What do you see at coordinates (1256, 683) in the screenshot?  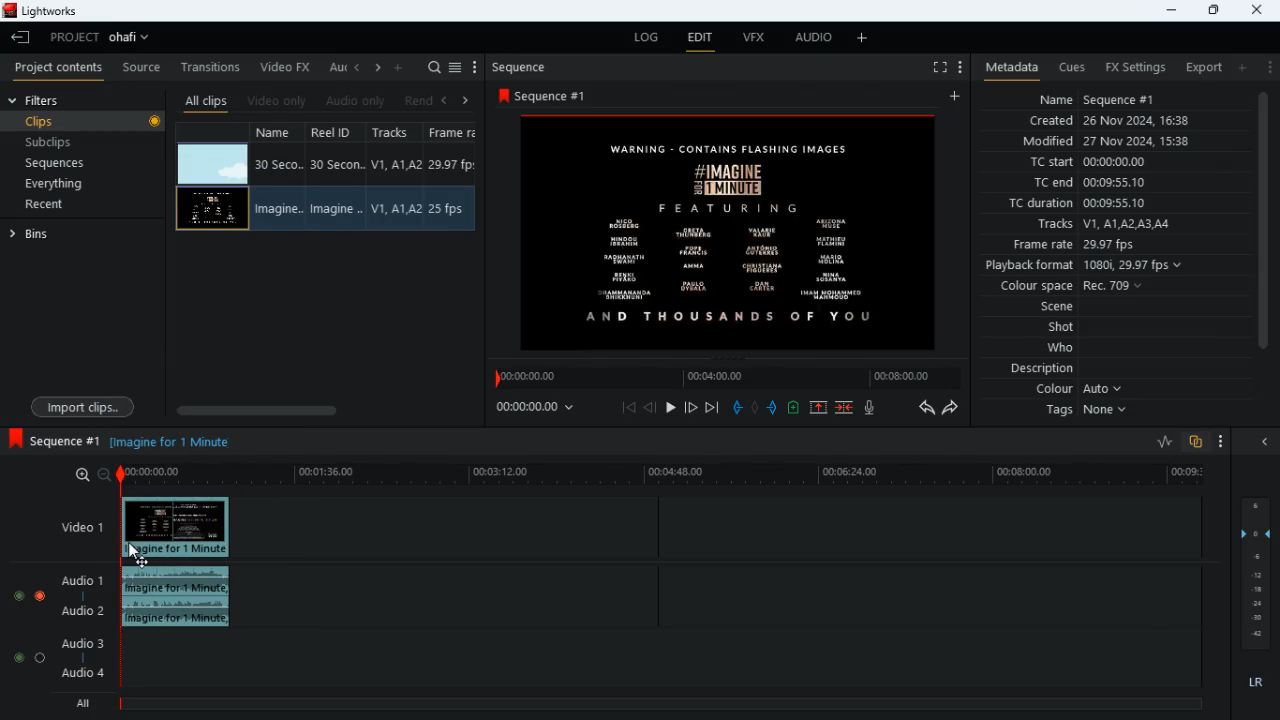 I see `lr` at bounding box center [1256, 683].